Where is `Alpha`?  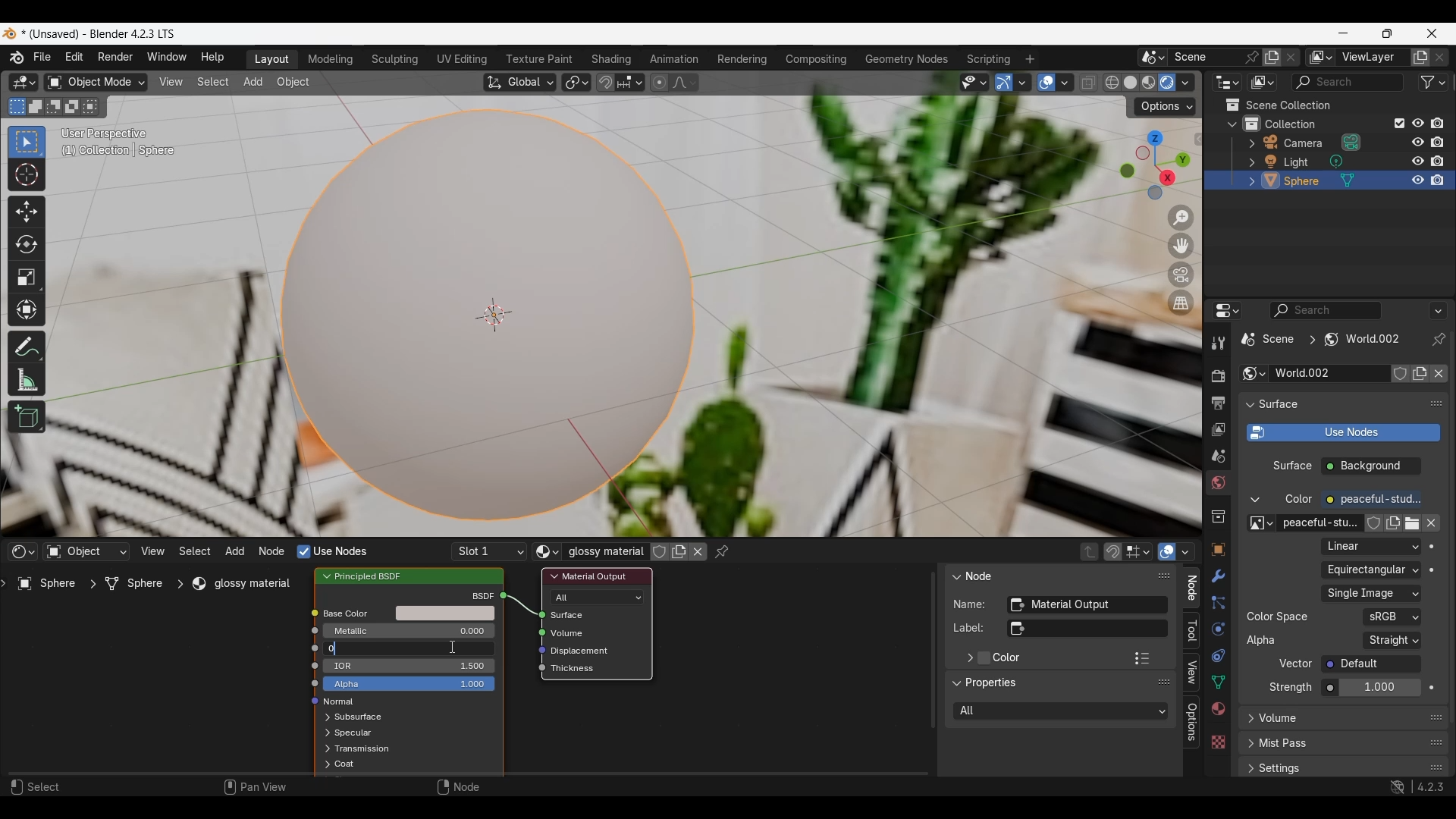 Alpha is located at coordinates (409, 684).